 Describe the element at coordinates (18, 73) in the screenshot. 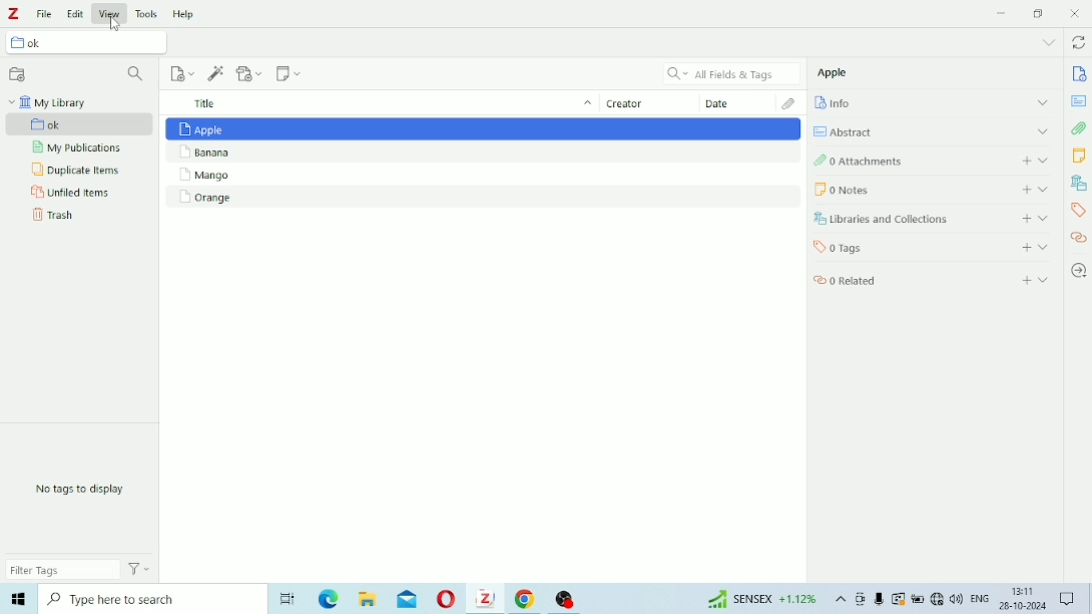

I see `New collection` at that location.